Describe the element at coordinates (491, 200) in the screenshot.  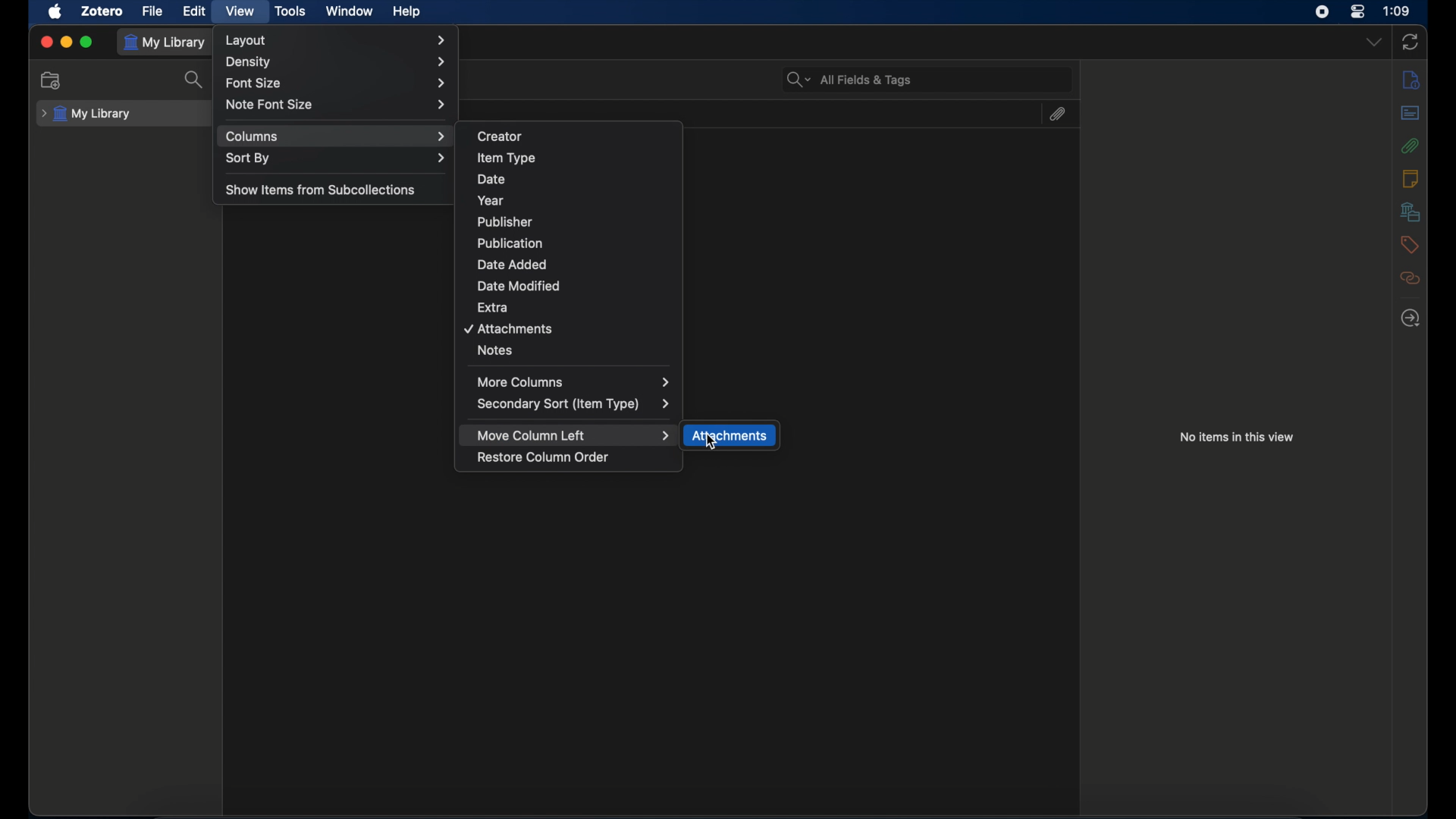
I see `year` at that location.